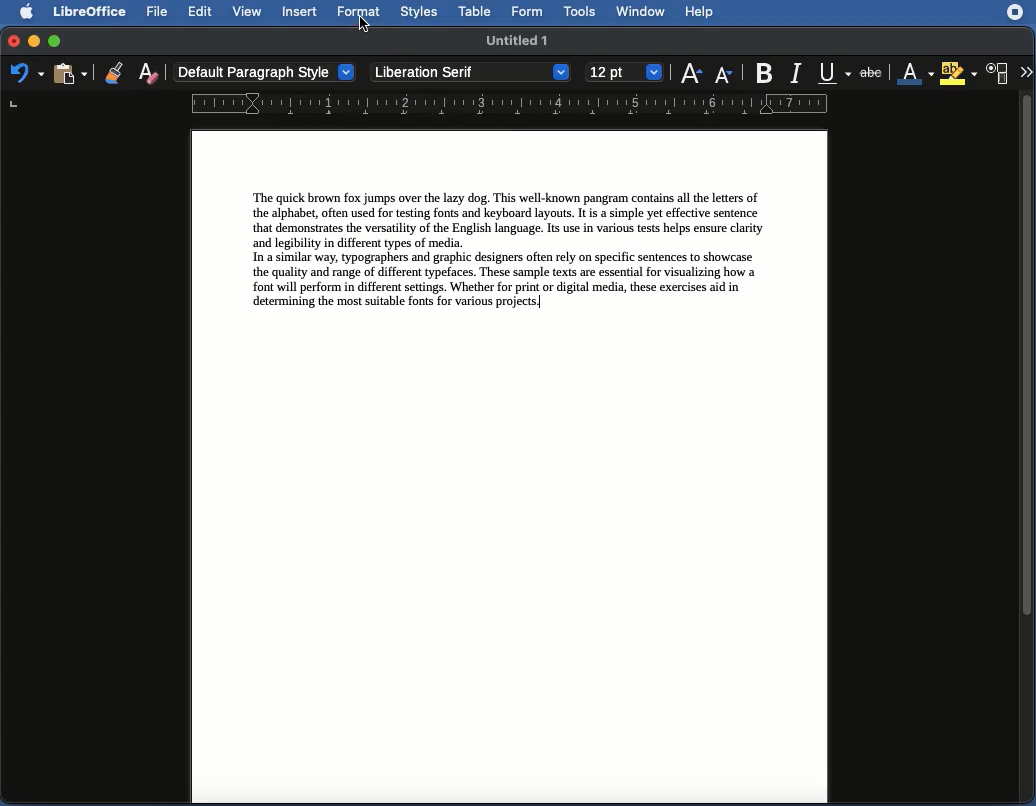  What do you see at coordinates (265, 73) in the screenshot?
I see `Default paragraph styl` at bounding box center [265, 73].